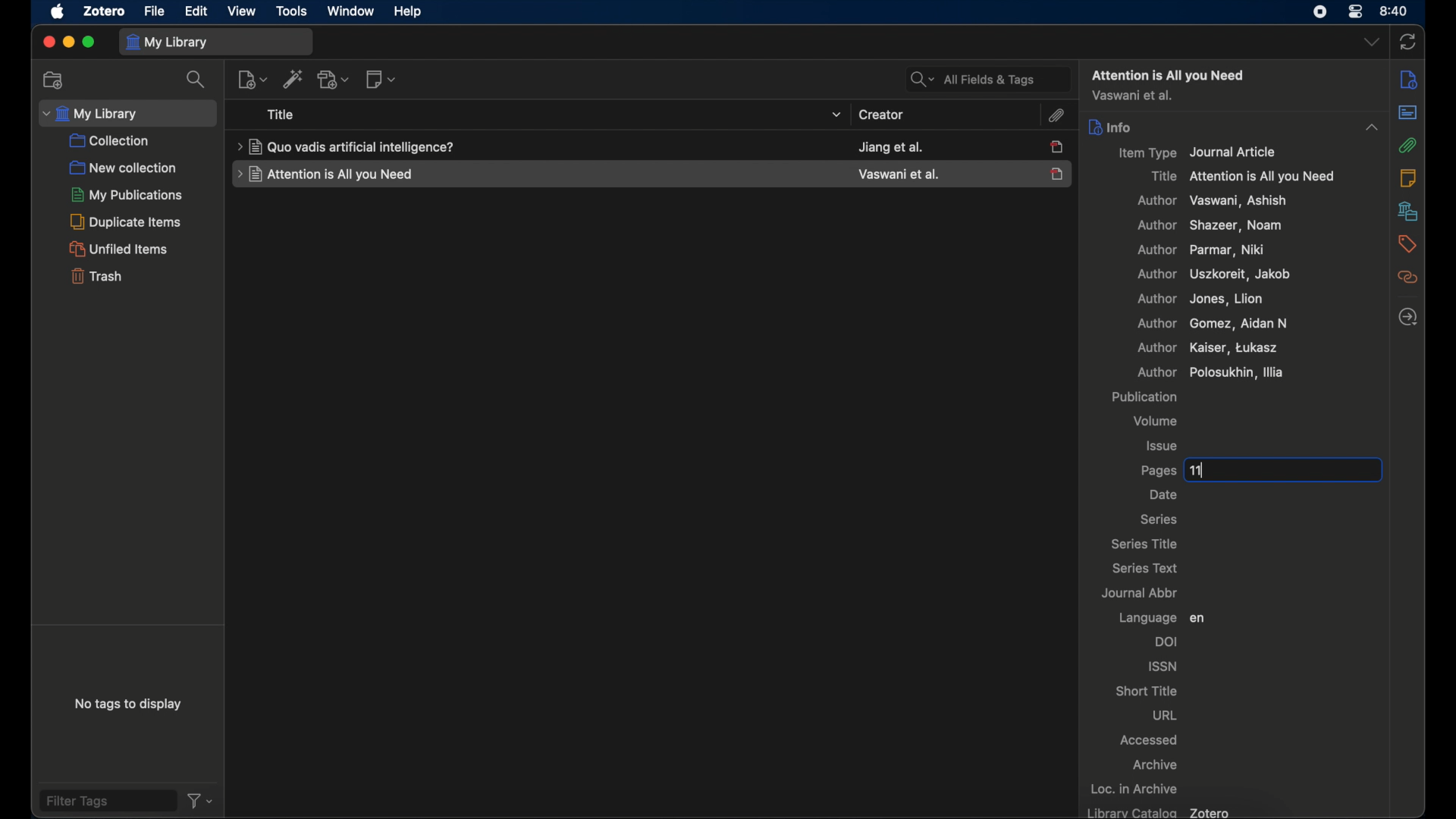 The image size is (1456, 819). Describe the element at coordinates (68, 41) in the screenshot. I see `minimize` at that location.